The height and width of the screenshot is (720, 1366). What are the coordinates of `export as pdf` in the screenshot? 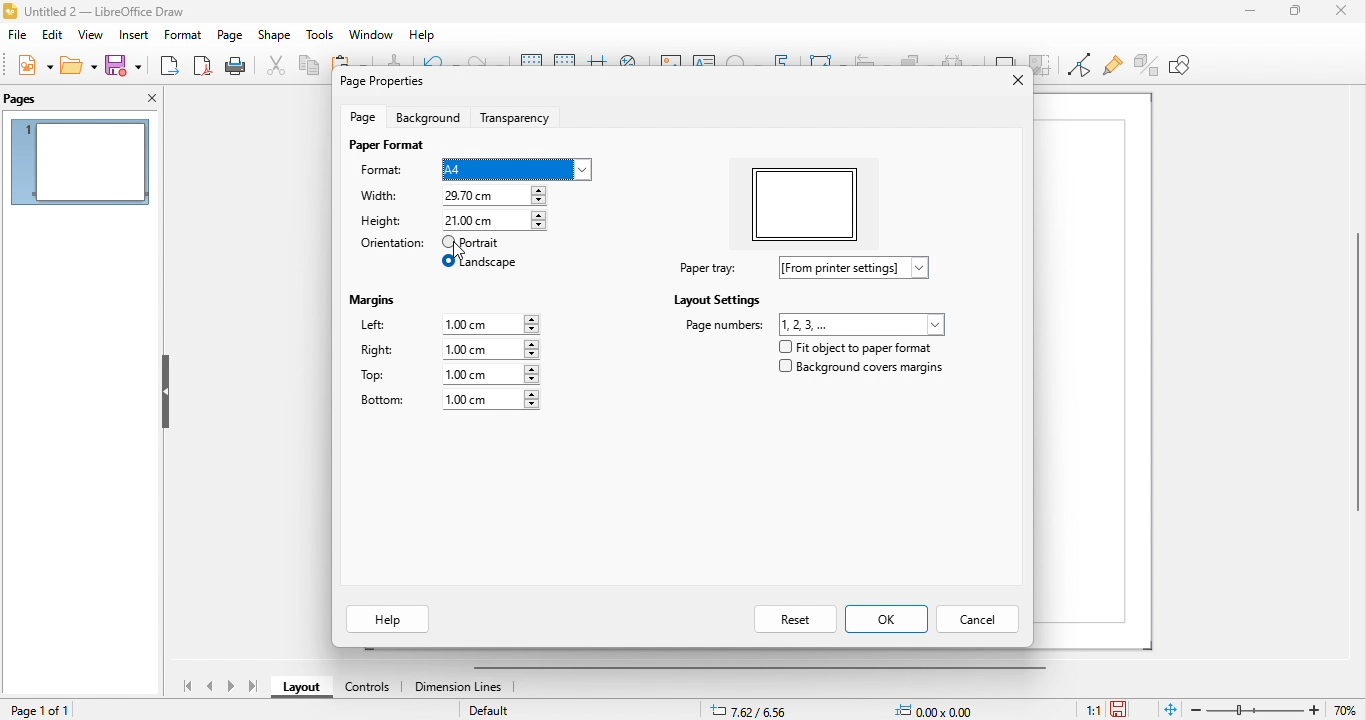 It's located at (204, 66).